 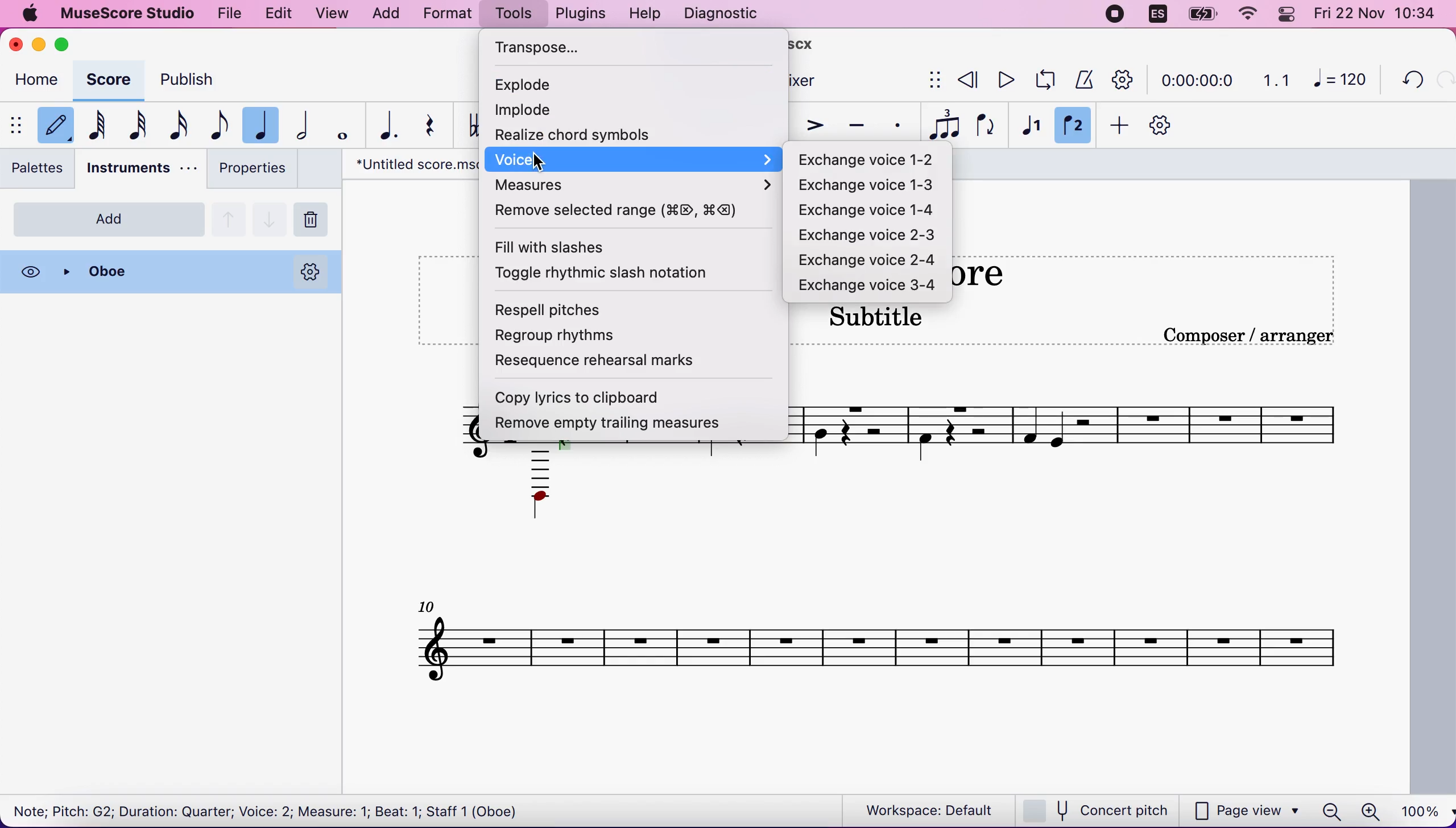 I want to click on voice 1, so click(x=1032, y=123).